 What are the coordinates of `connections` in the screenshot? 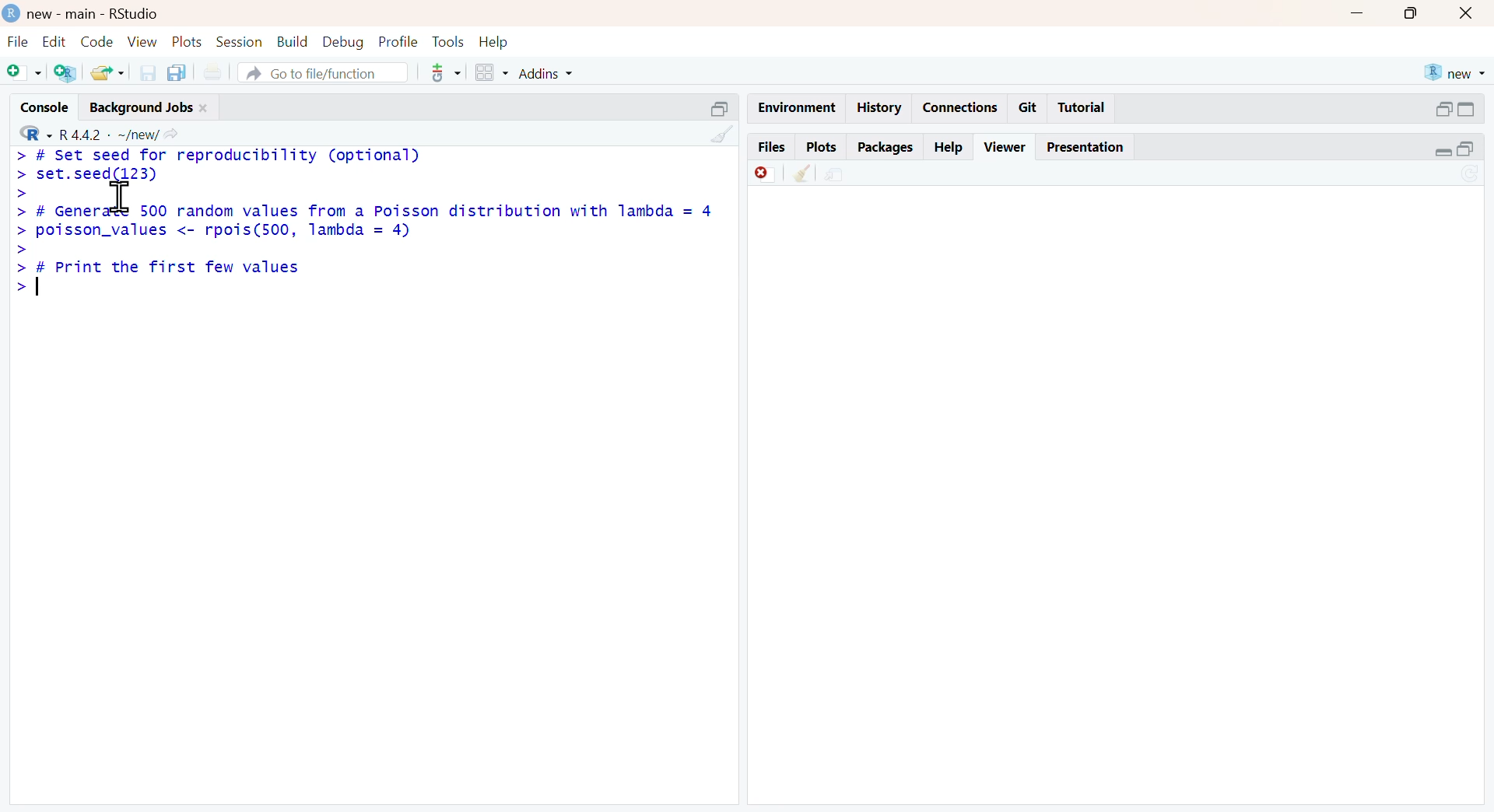 It's located at (961, 107).